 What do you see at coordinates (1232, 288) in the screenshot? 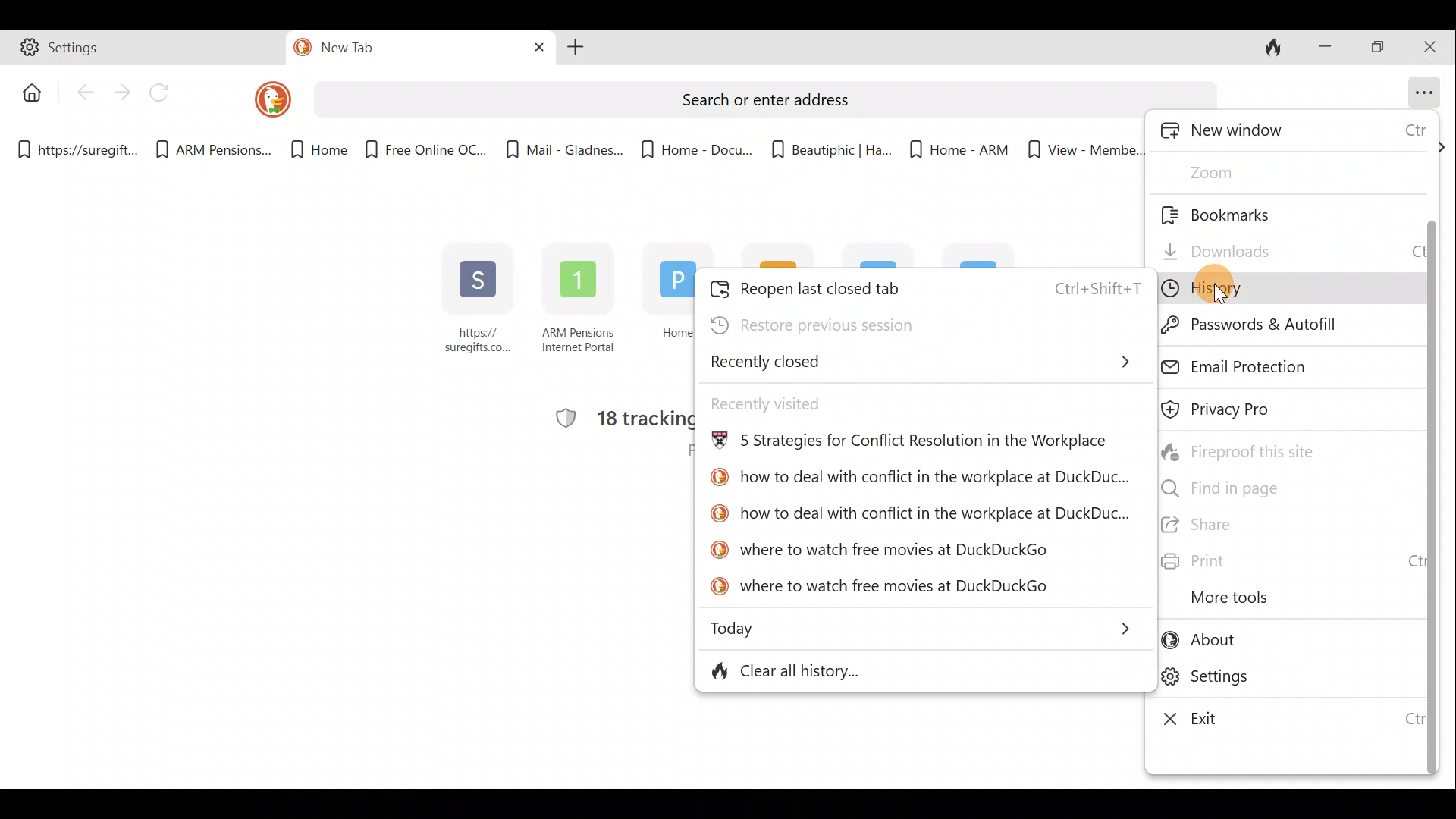
I see `Cursor` at bounding box center [1232, 288].